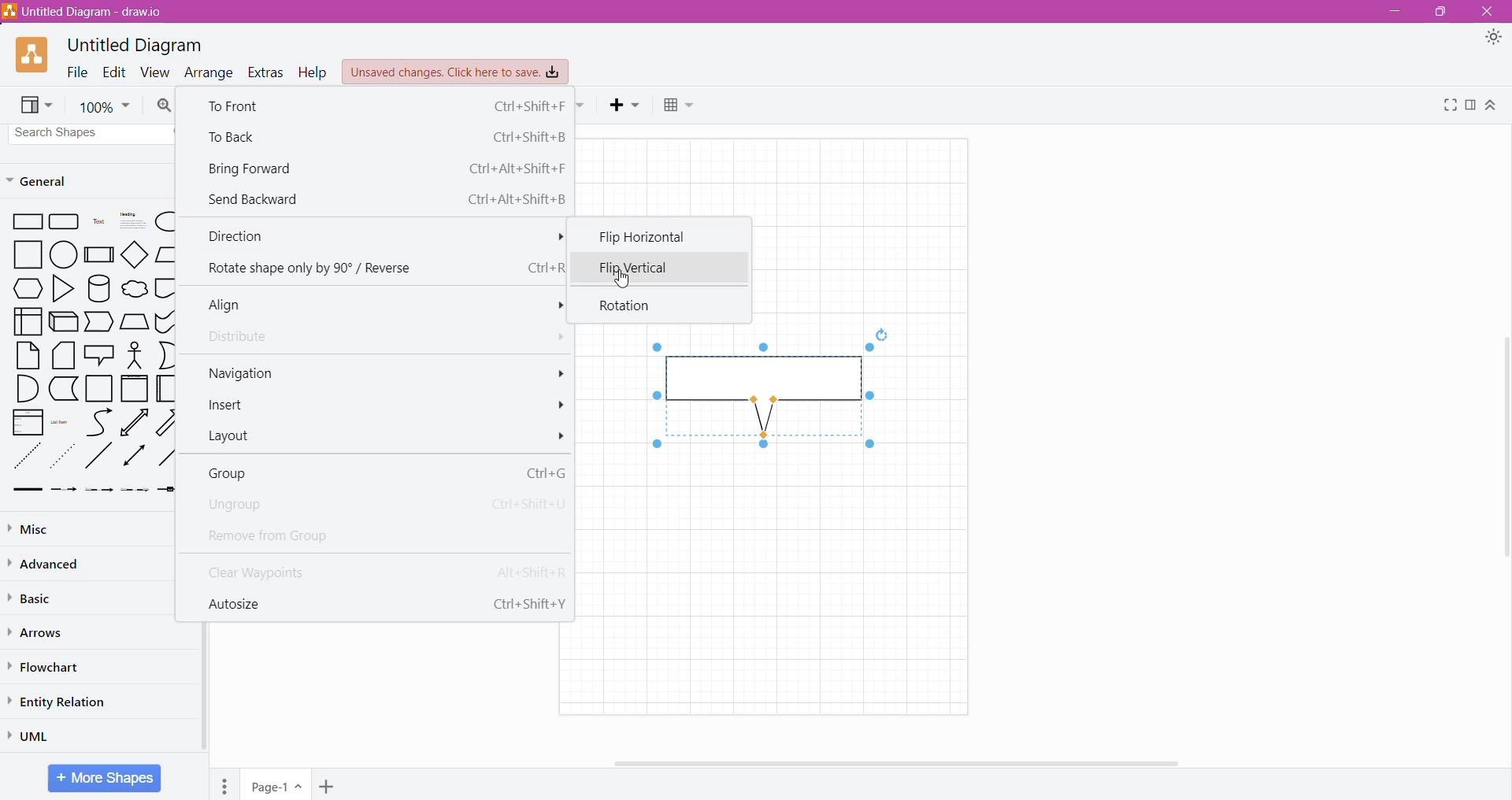  What do you see at coordinates (167, 455) in the screenshot?
I see `Rightward Thick Arrow` at bounding box center [167, 455].